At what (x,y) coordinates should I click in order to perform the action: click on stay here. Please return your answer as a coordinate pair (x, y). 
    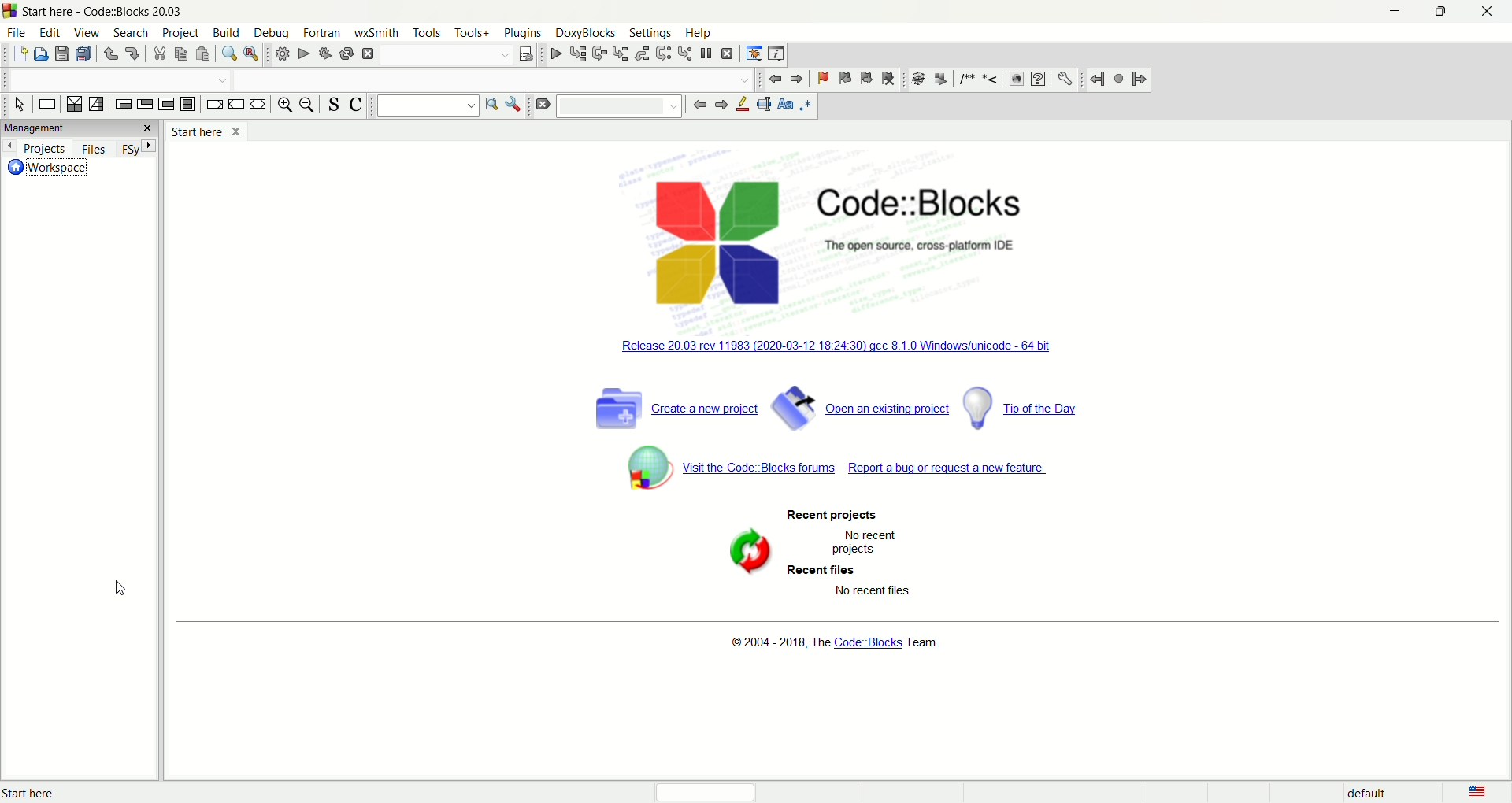
    Looking at the image, I should click on (204, 129).